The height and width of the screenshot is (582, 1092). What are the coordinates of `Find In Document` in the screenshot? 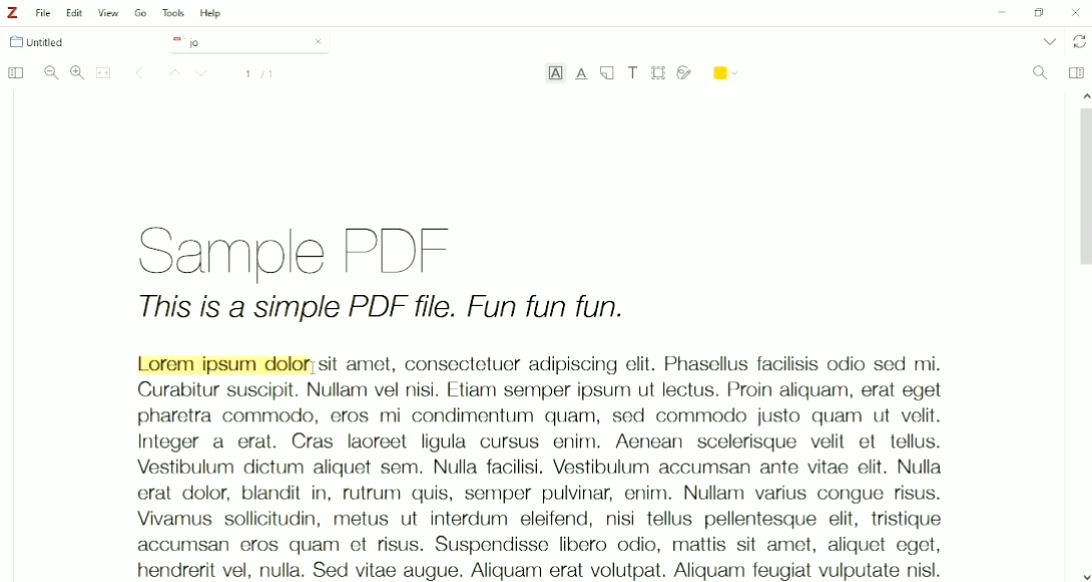 It's located at (1040, 74).